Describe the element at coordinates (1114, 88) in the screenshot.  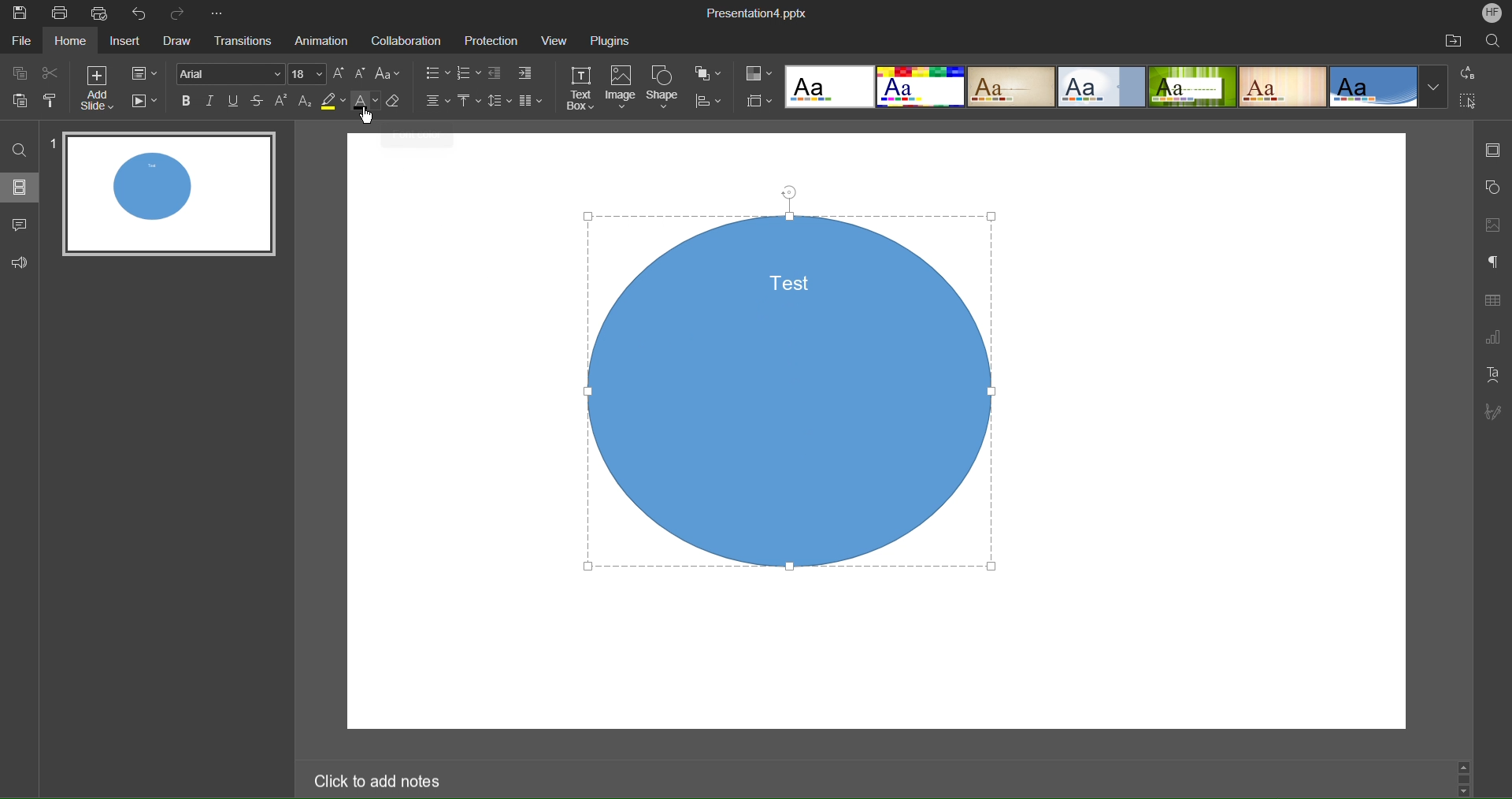
I see `Templates` at that location.